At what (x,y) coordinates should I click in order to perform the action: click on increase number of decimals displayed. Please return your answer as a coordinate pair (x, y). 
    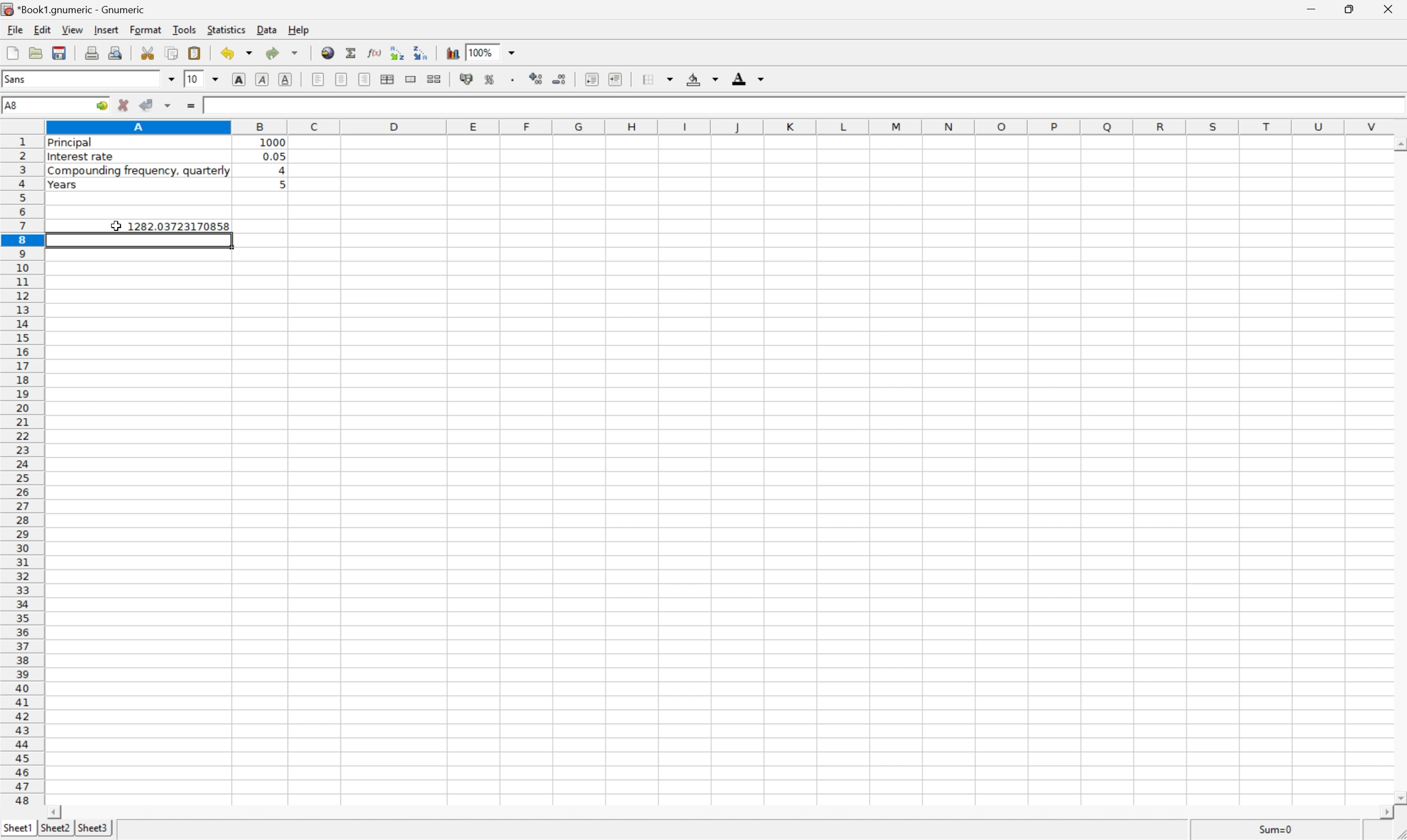
    Looking at the image, I should click on (537, 79).